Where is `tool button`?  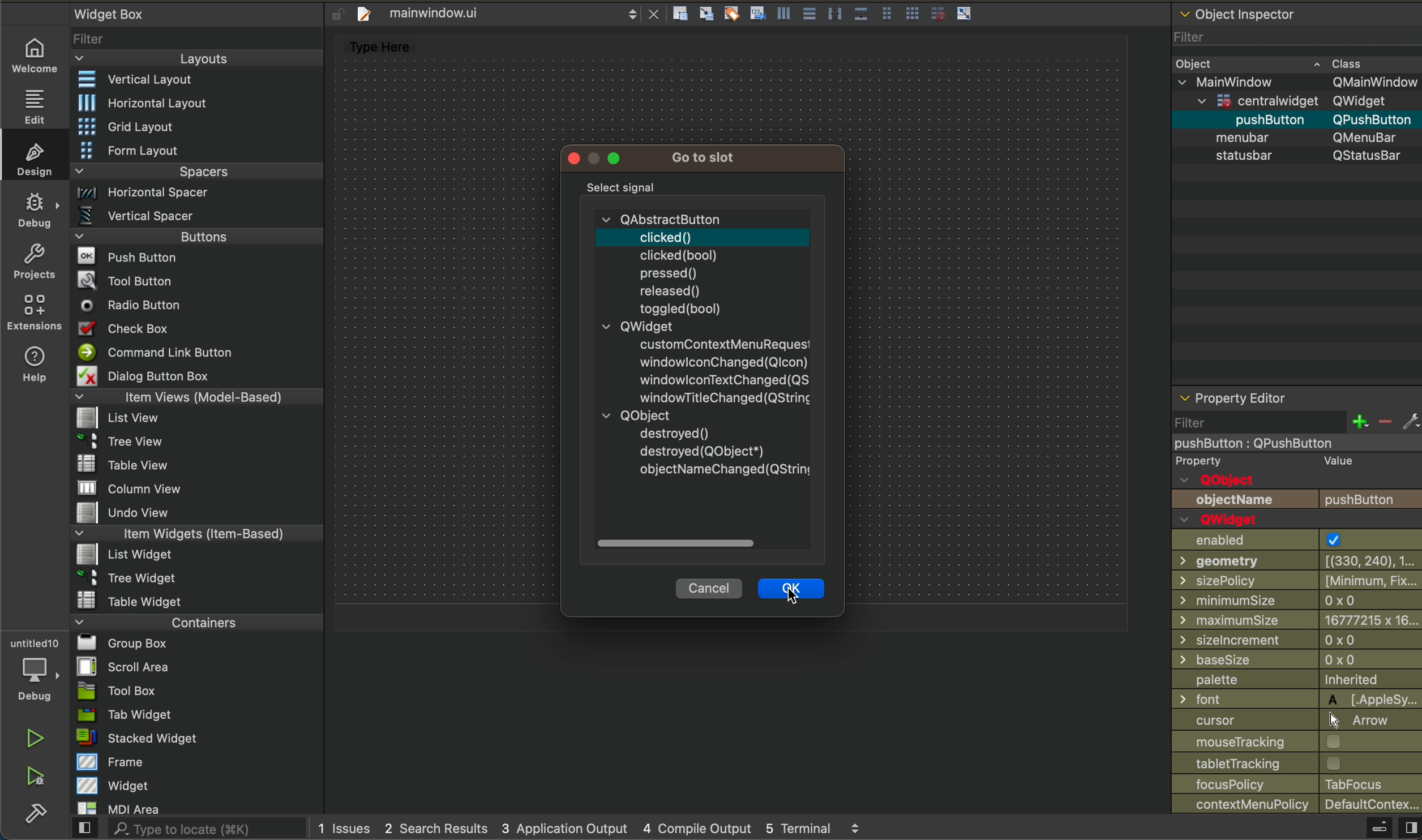 tool button is located at coordinates (198, 282).